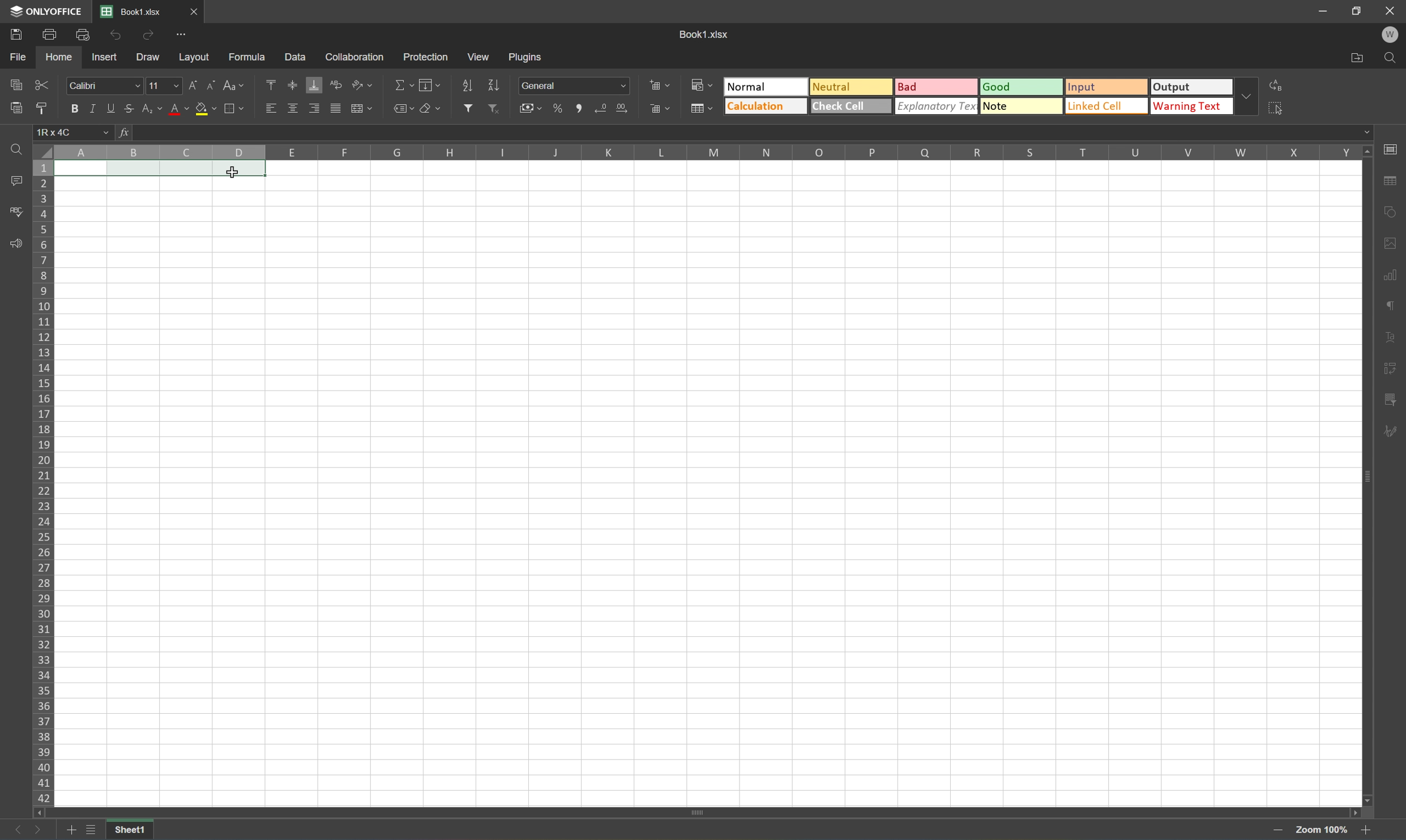  I want to click on Warning text, so click(1195, 106).